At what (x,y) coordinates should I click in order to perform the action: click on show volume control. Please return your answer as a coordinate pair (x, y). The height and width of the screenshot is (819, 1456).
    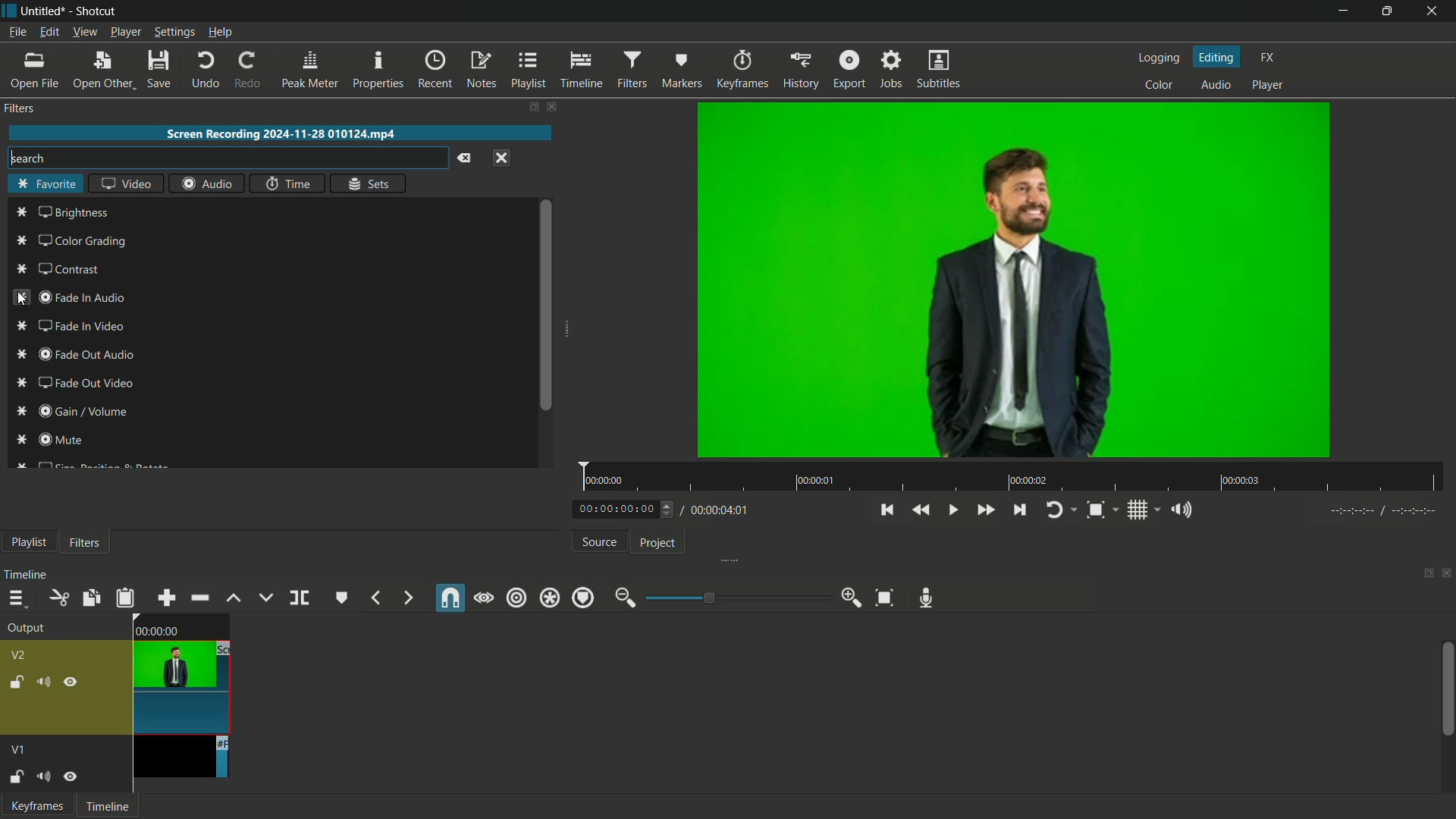
    Looking at the image, I should click on (1177, 510).